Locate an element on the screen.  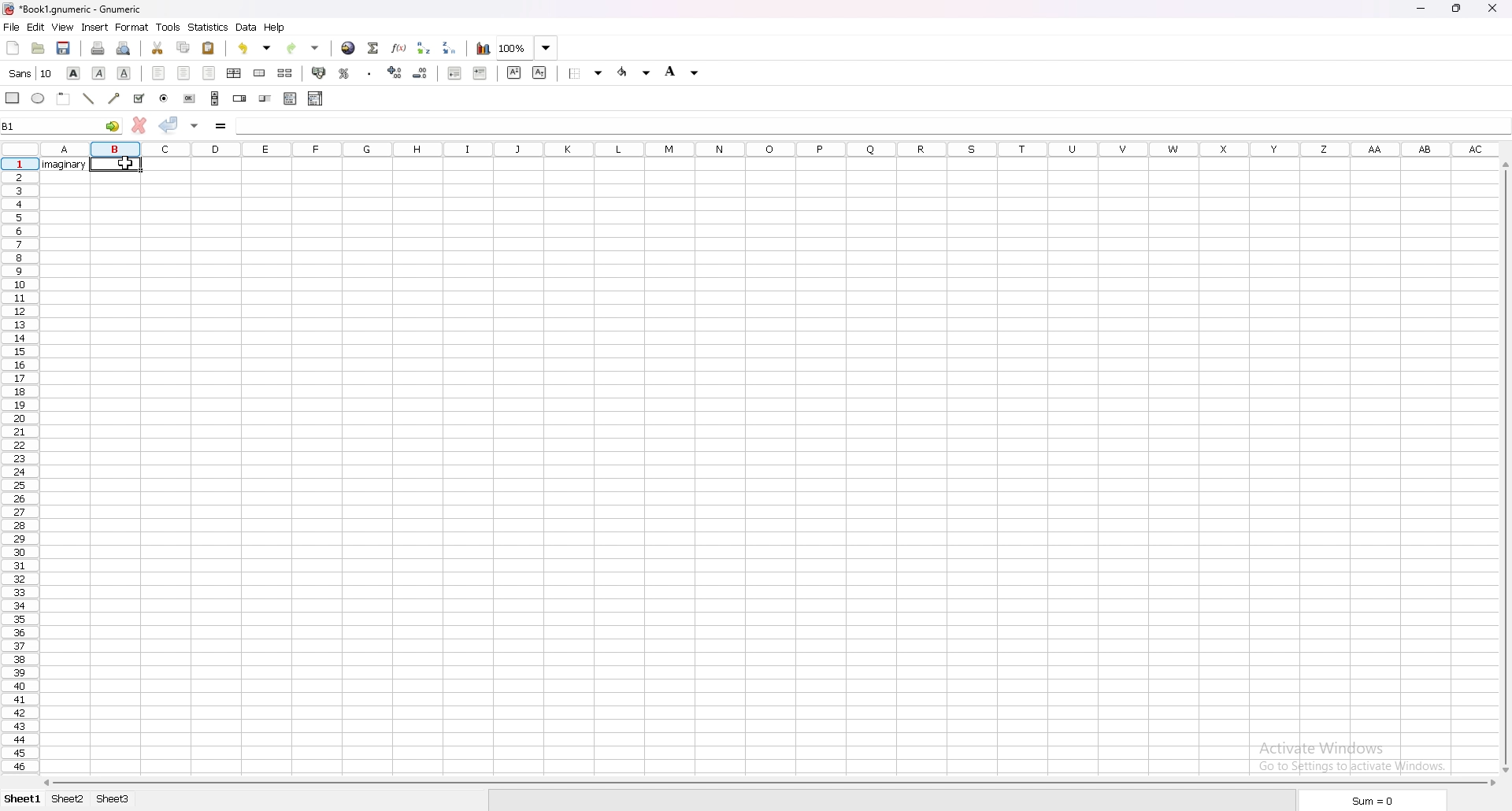
open is located at coordinates (39, 47).